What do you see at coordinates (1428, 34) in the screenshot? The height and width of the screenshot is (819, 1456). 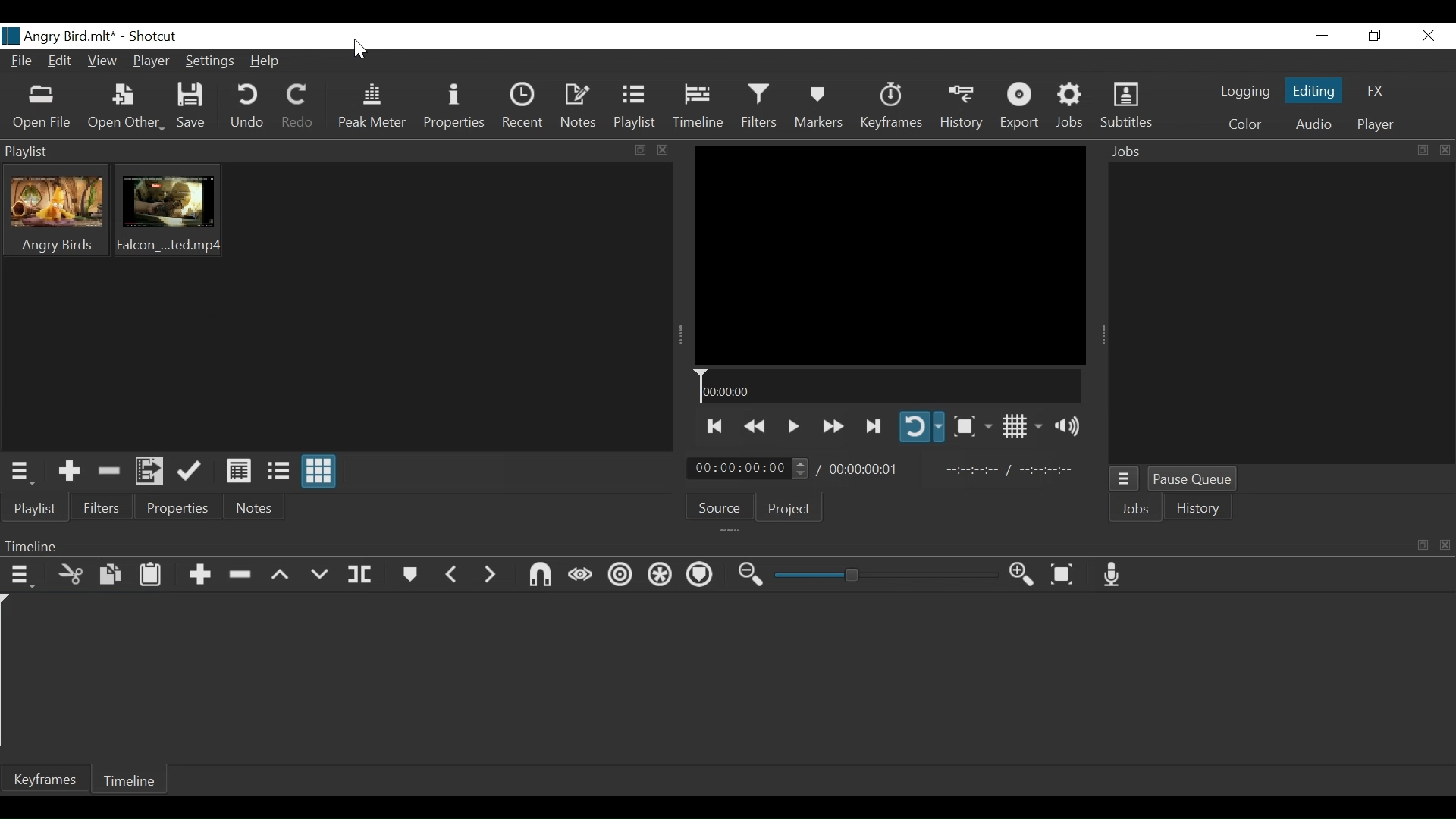 I see `Close` at bounding box center [1428, 34].